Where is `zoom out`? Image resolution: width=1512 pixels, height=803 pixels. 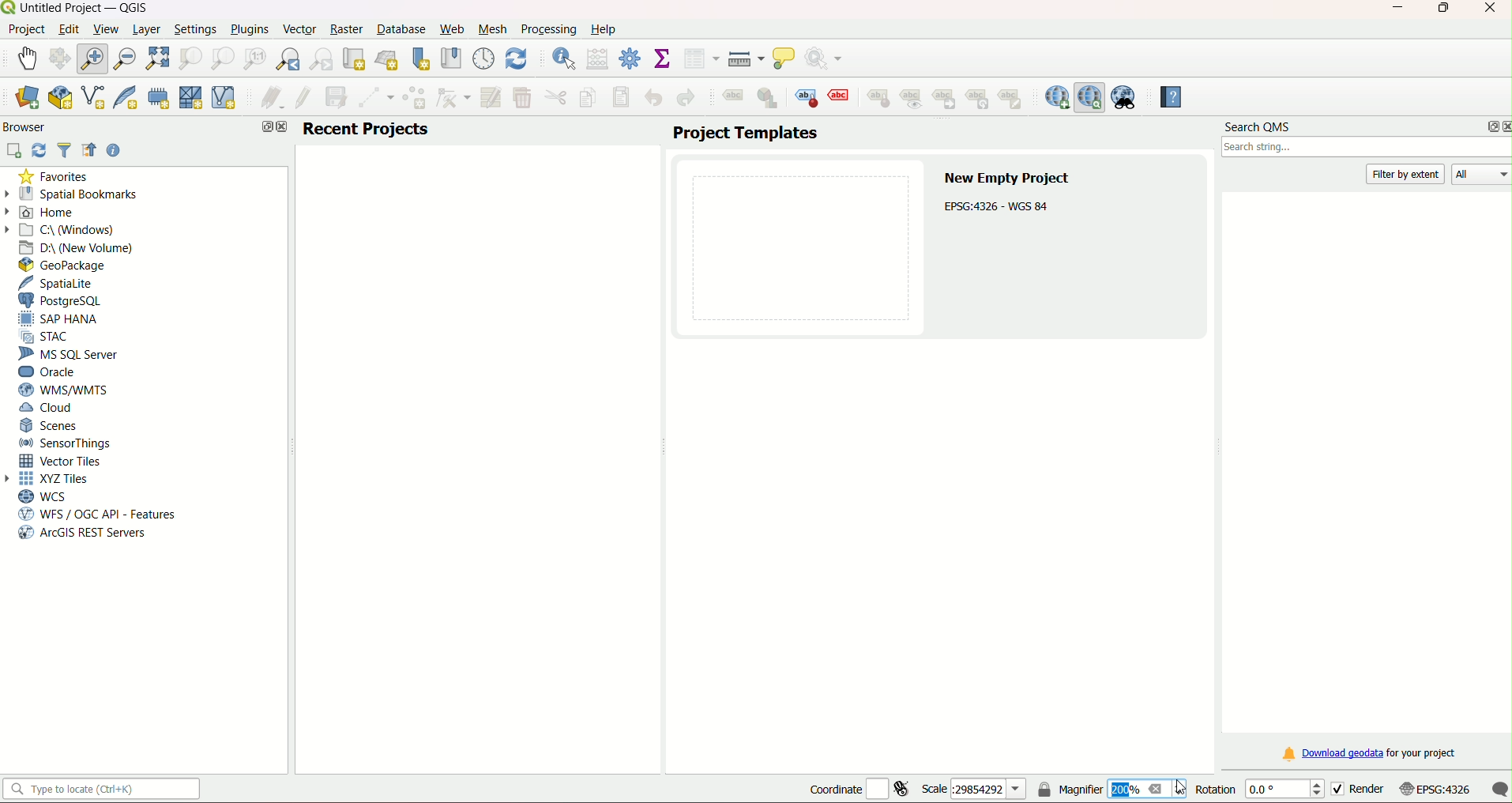
zoom out is located at coordinates (126, 57).